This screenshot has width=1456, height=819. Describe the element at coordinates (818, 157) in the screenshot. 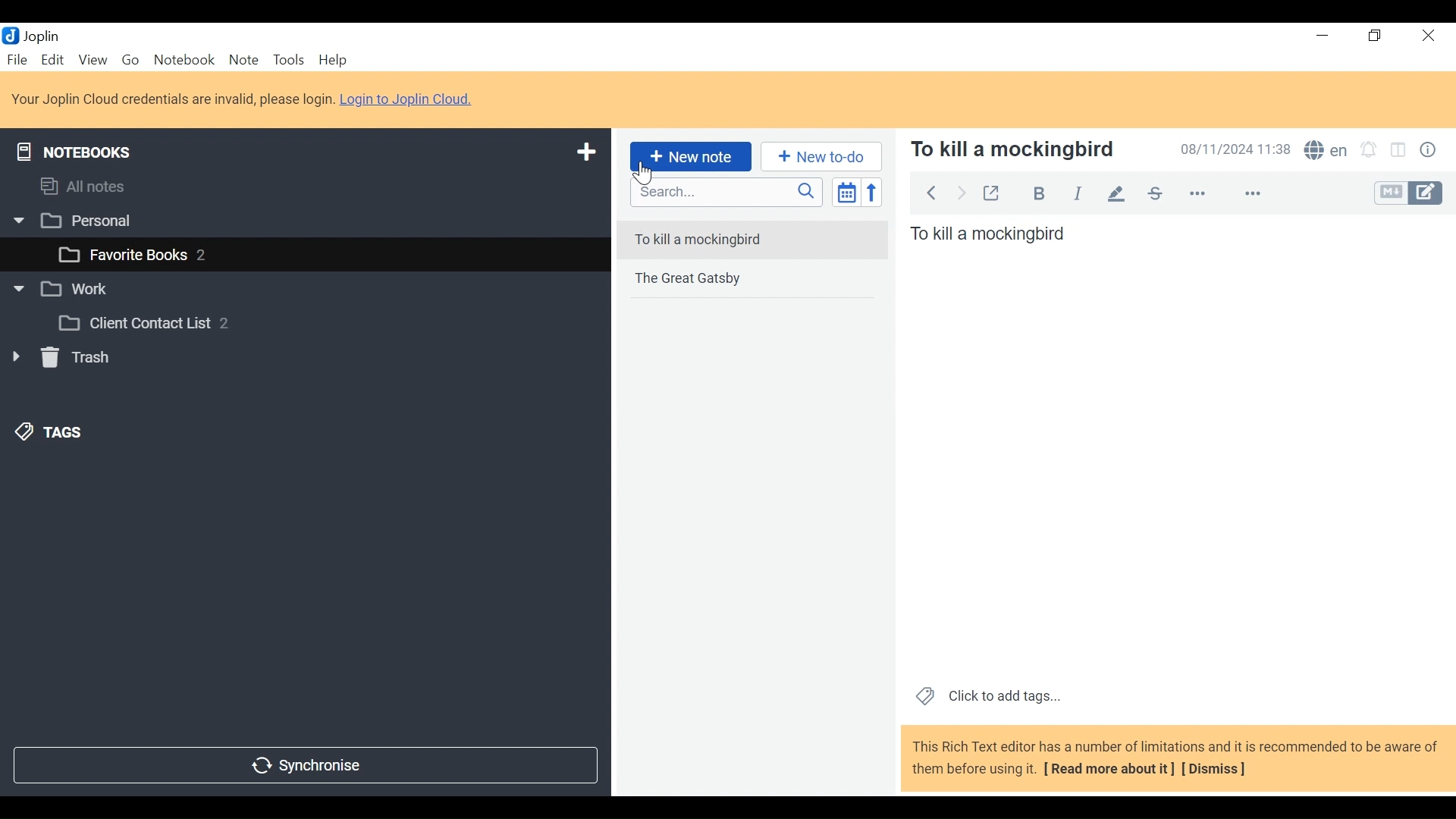

I see `New to do` at that location.